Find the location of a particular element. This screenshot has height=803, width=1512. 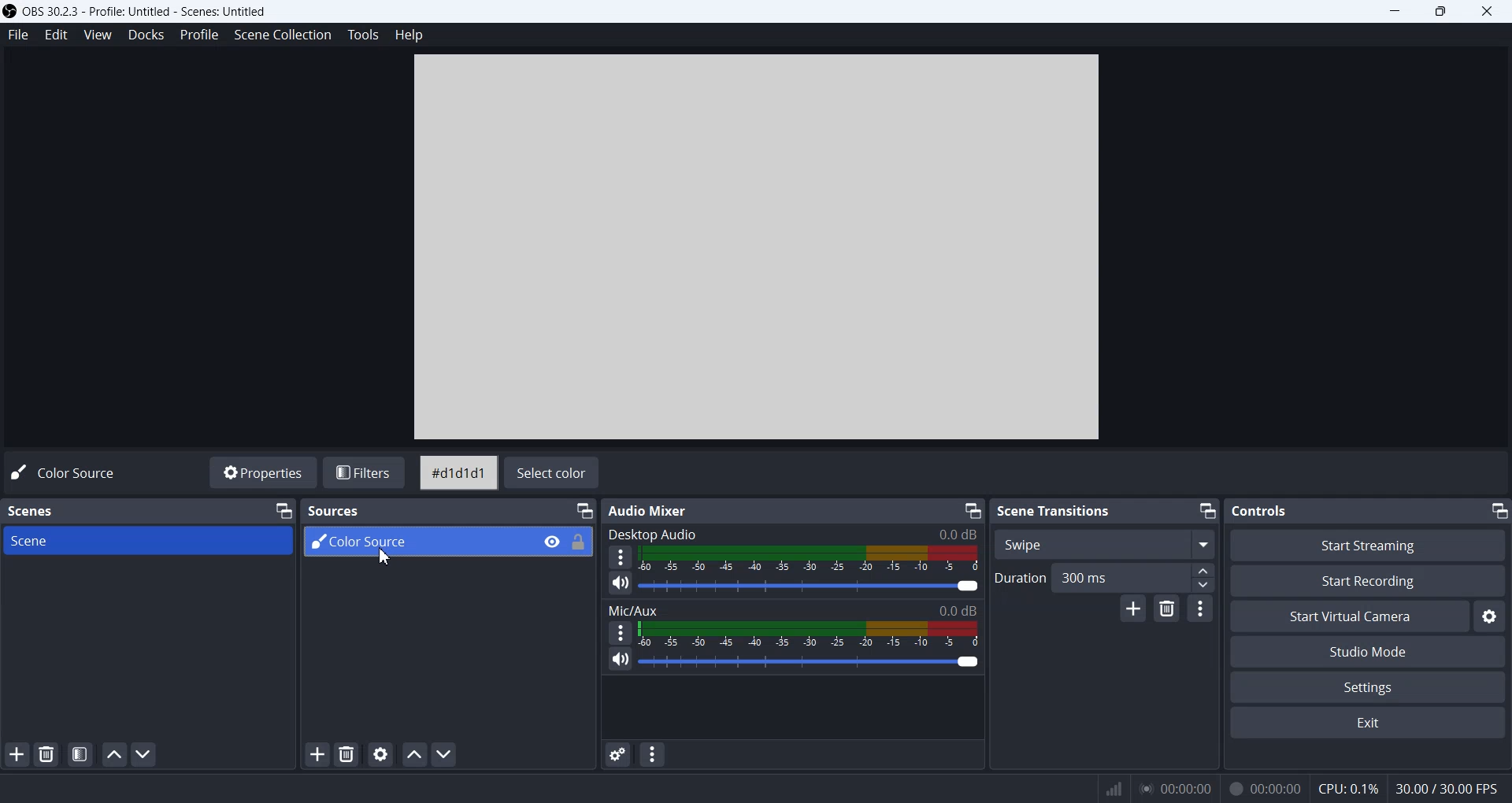

Volume Indicator is located at coordinates (812, 560).